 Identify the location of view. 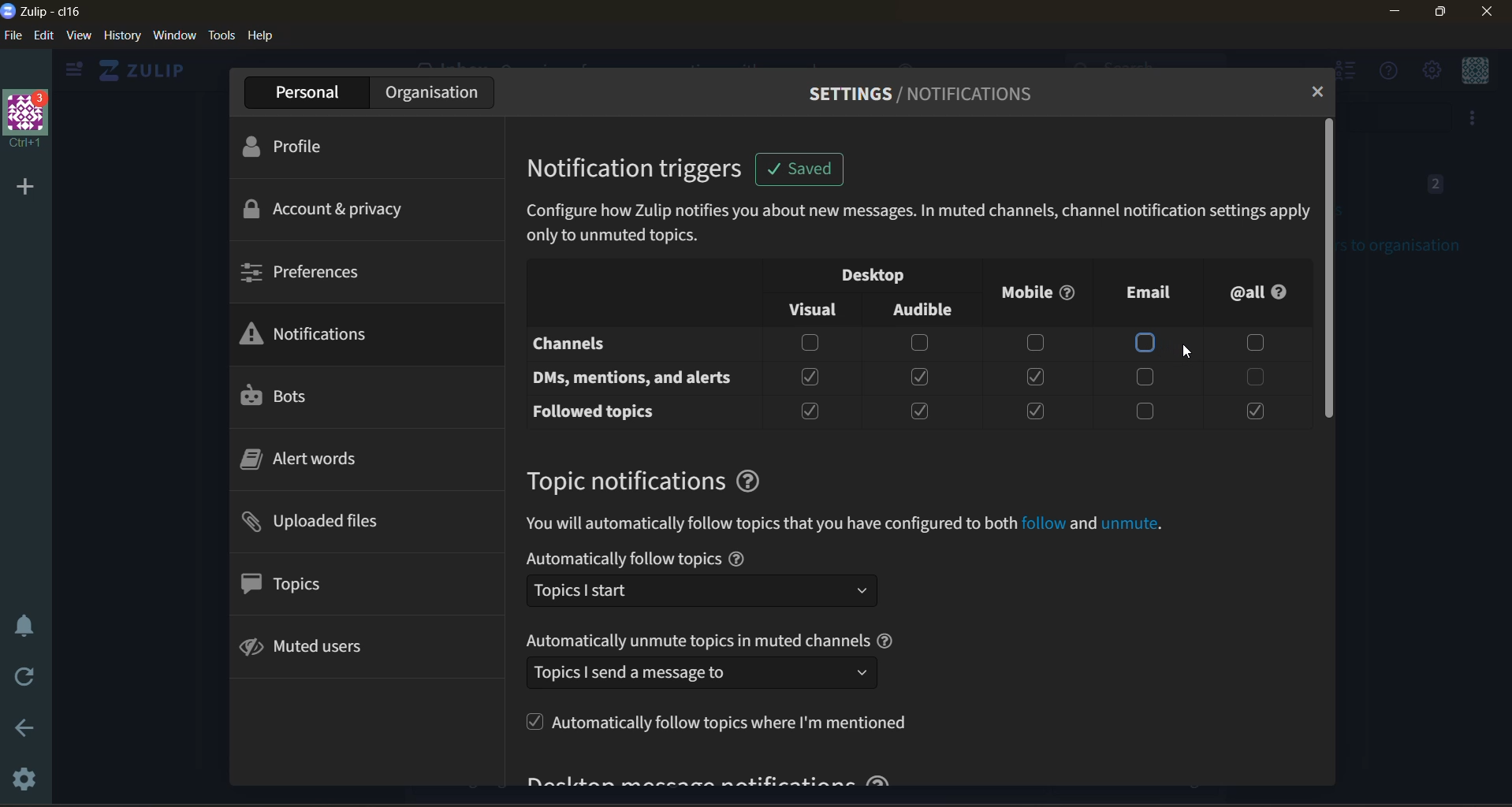
(79, 35).